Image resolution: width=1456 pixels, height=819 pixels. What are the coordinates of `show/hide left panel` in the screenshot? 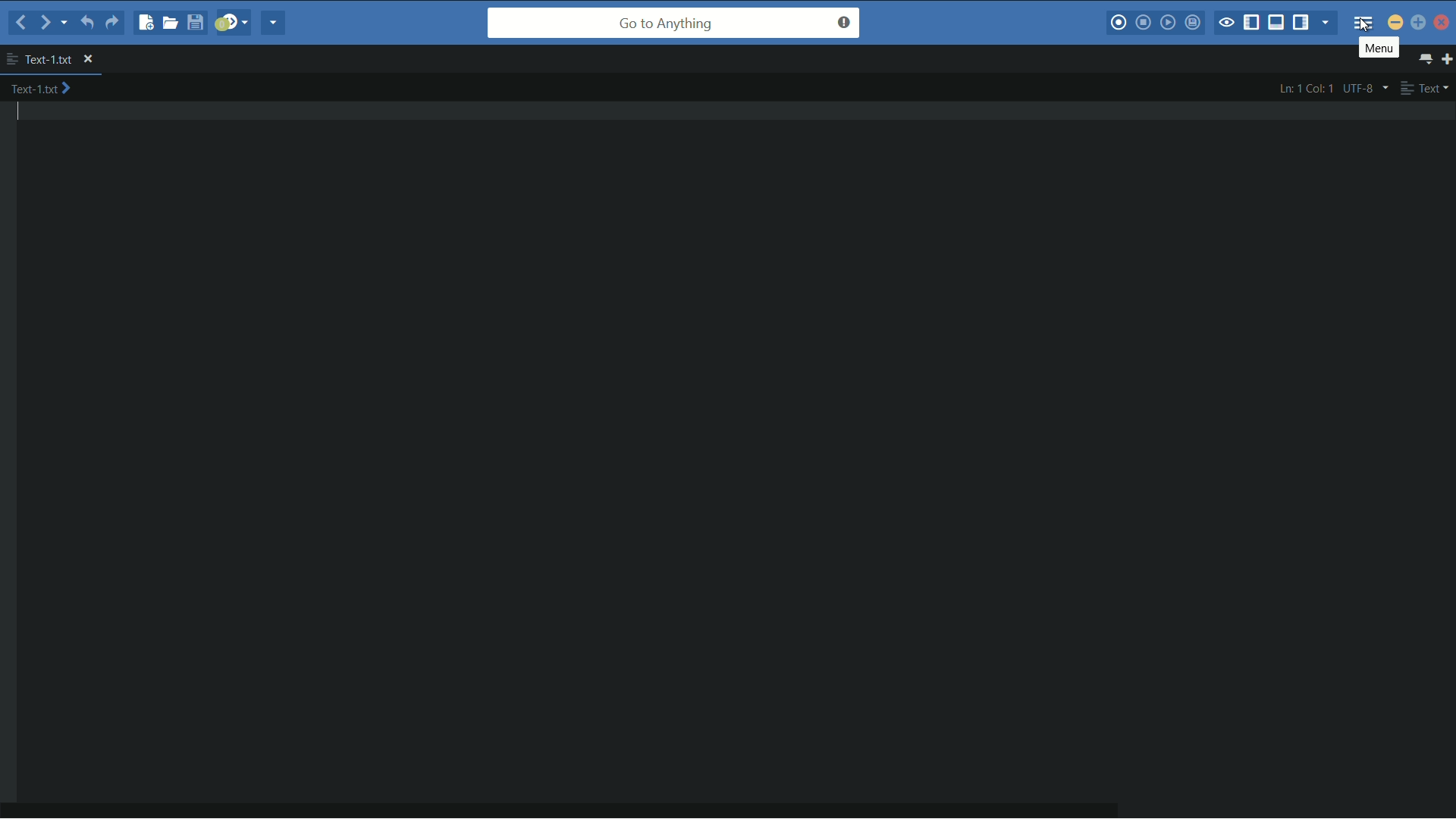 It's located at (1250, 24).